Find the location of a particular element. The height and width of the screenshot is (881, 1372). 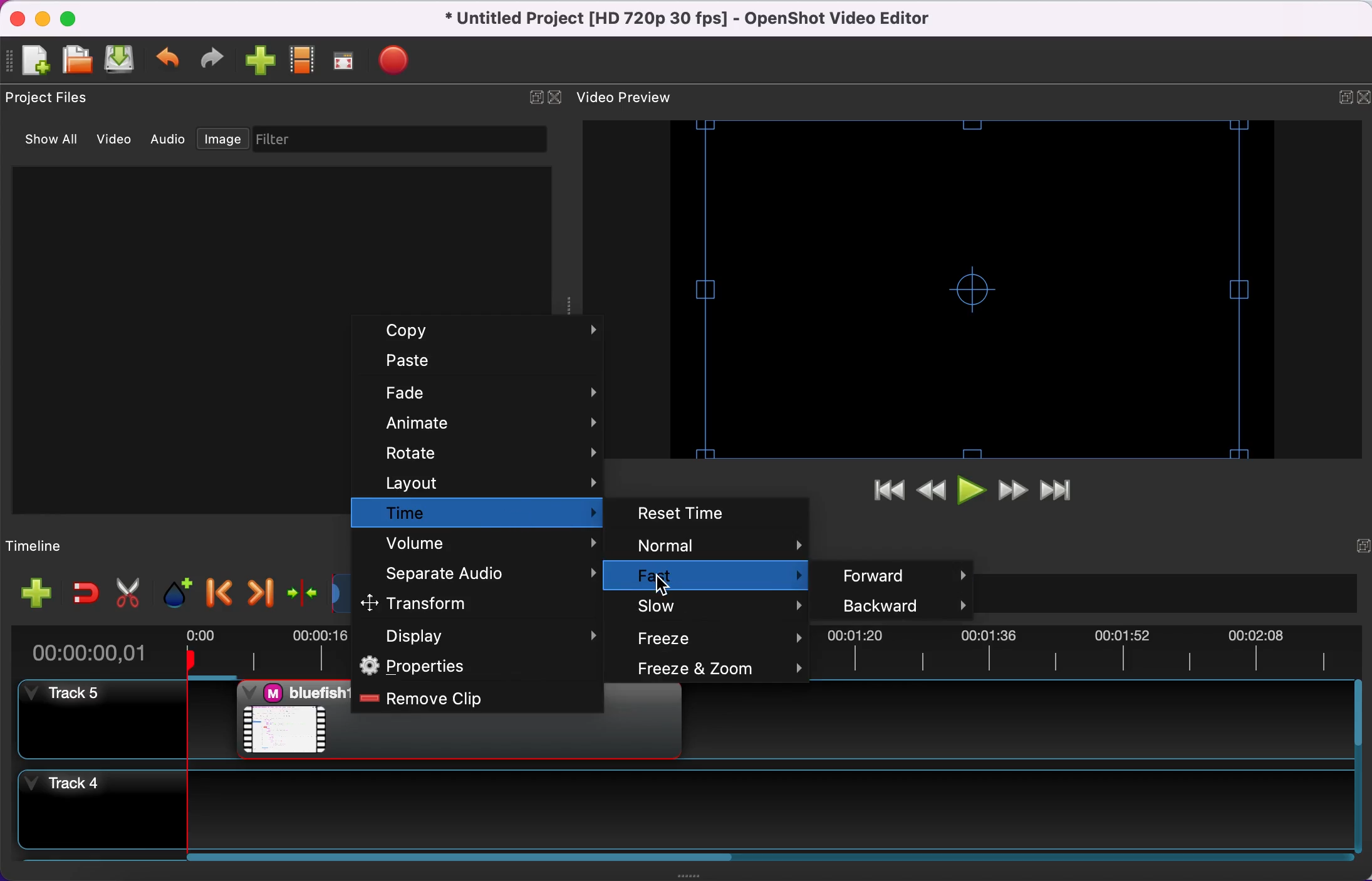

choose profile is located at coordinates (304, 60).